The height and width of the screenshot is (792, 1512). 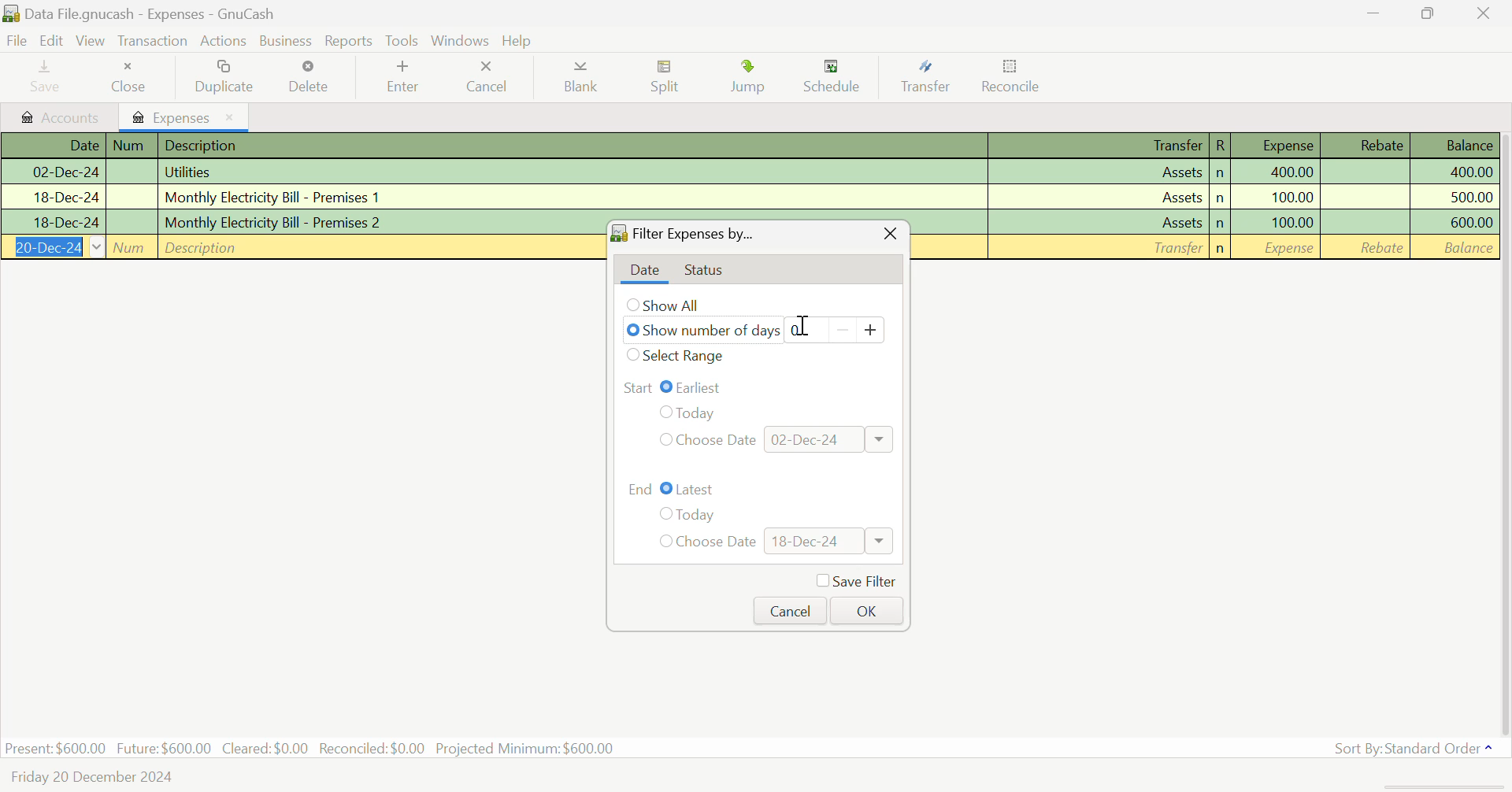 I want to click on Today, so click(x=691, y=413).